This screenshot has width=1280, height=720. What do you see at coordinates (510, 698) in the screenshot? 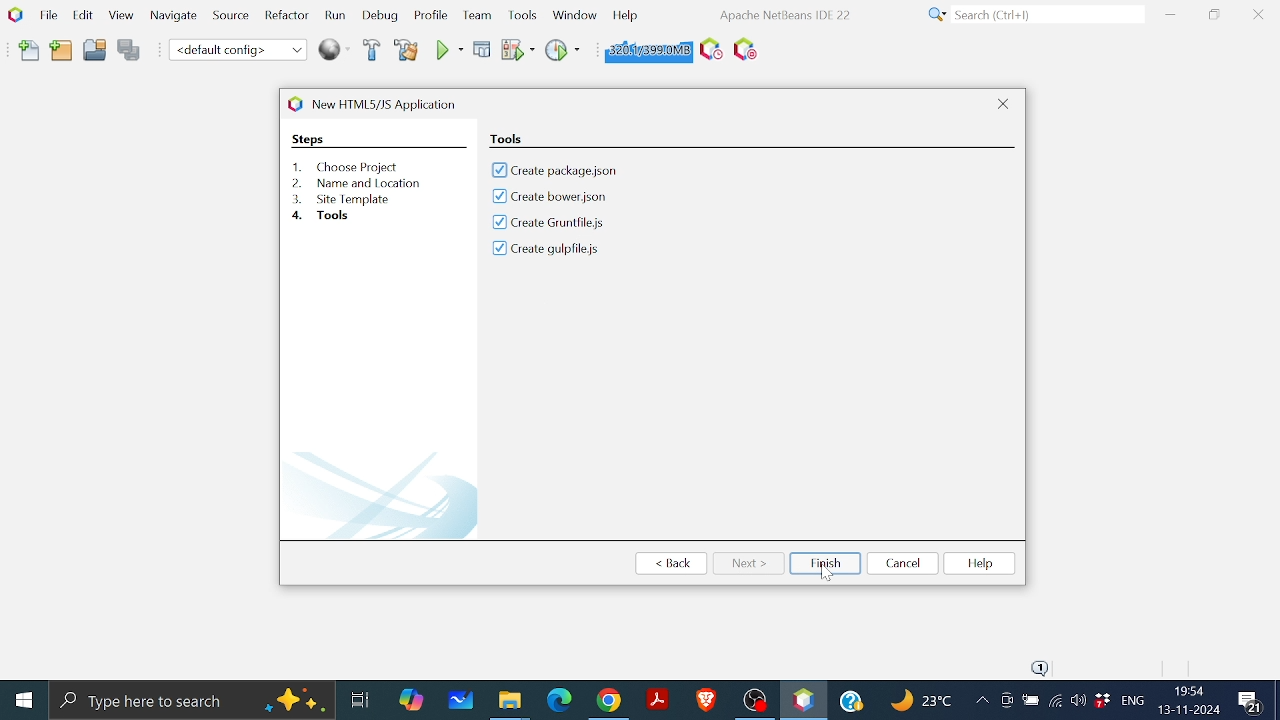
I see `Files` at bounding box center [510, 698].